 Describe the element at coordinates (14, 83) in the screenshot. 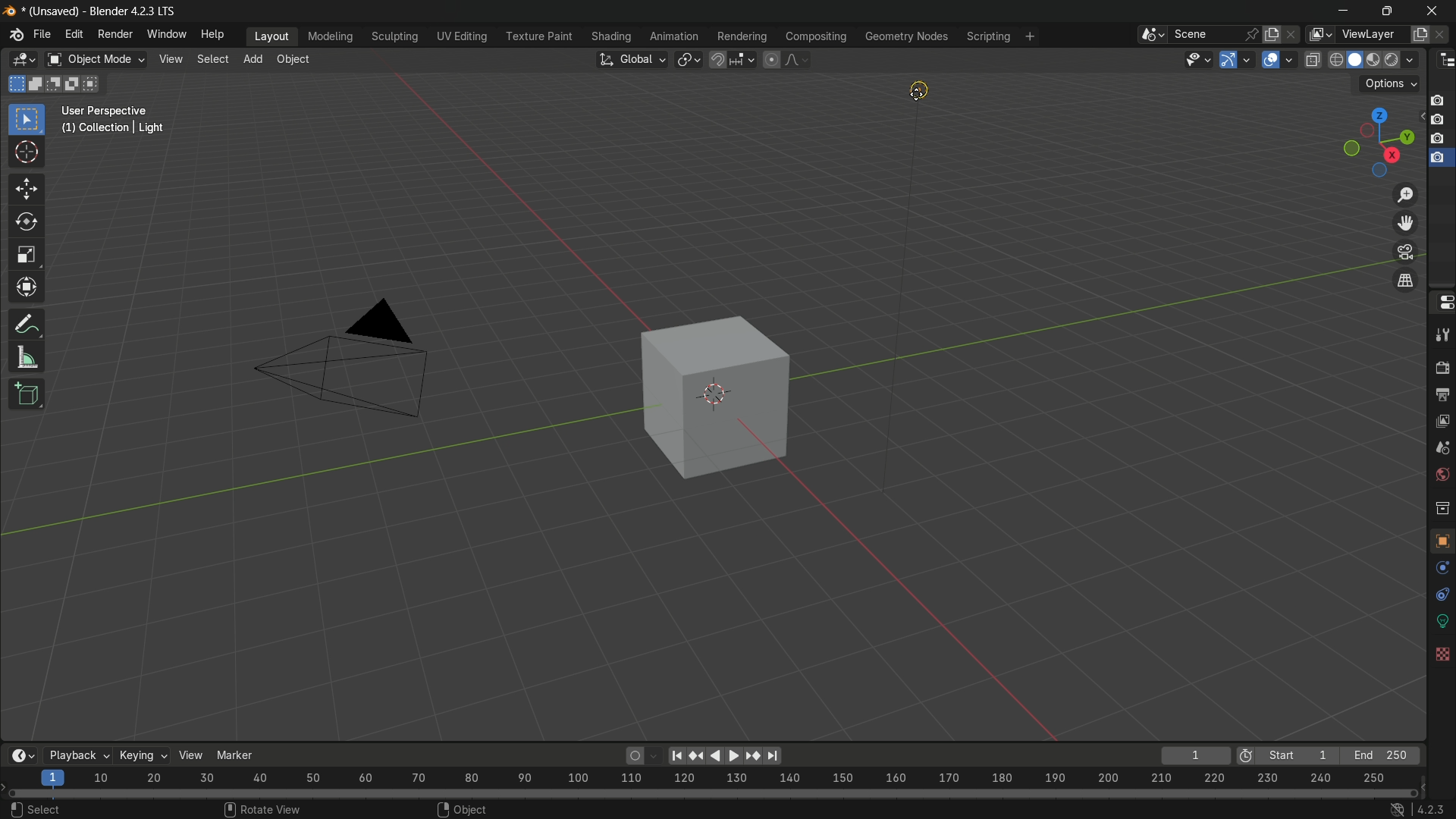

I see `start new selection` at that location.